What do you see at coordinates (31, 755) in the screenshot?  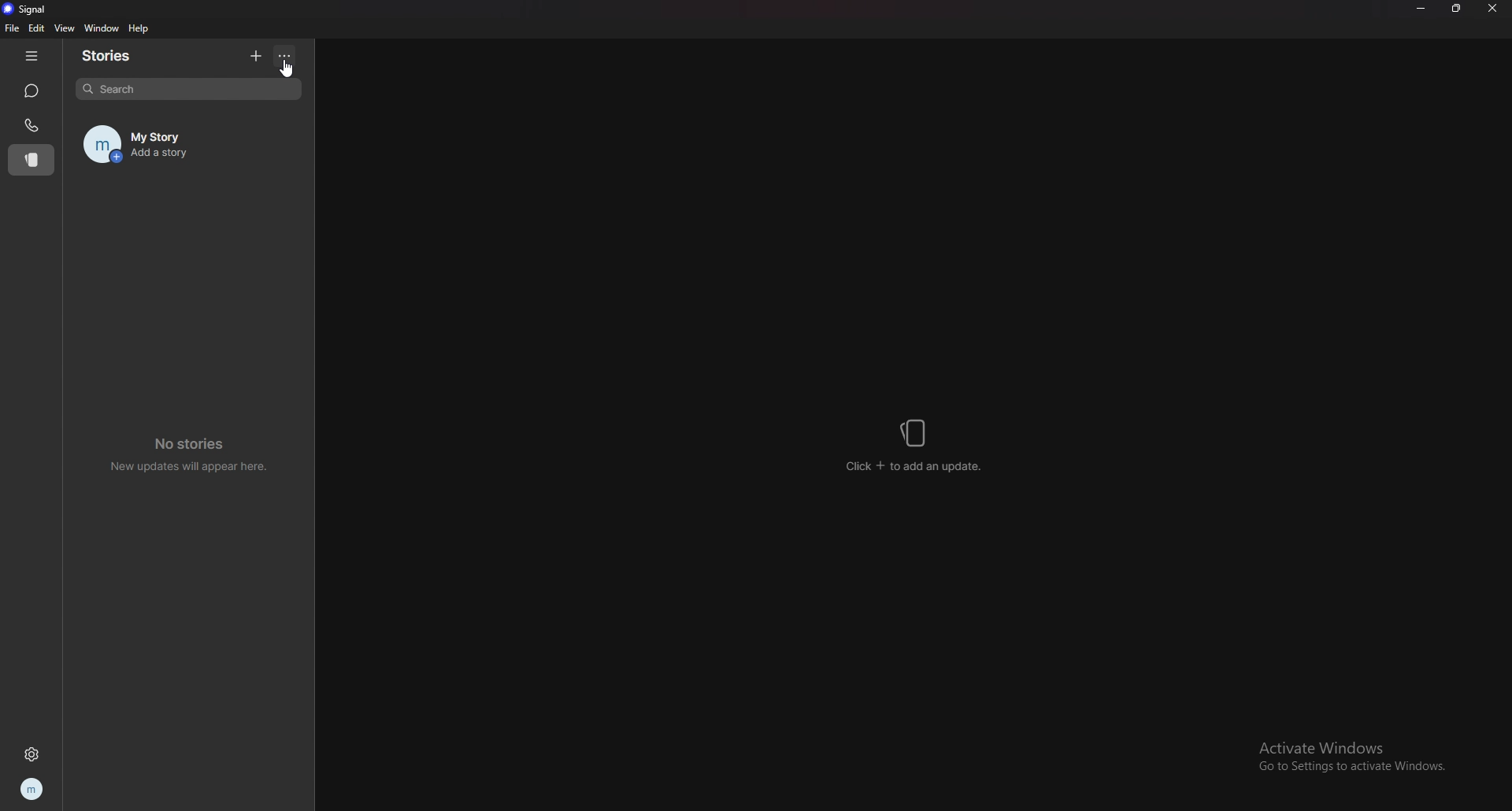 I see `settings` at bounding box center [31, 755].